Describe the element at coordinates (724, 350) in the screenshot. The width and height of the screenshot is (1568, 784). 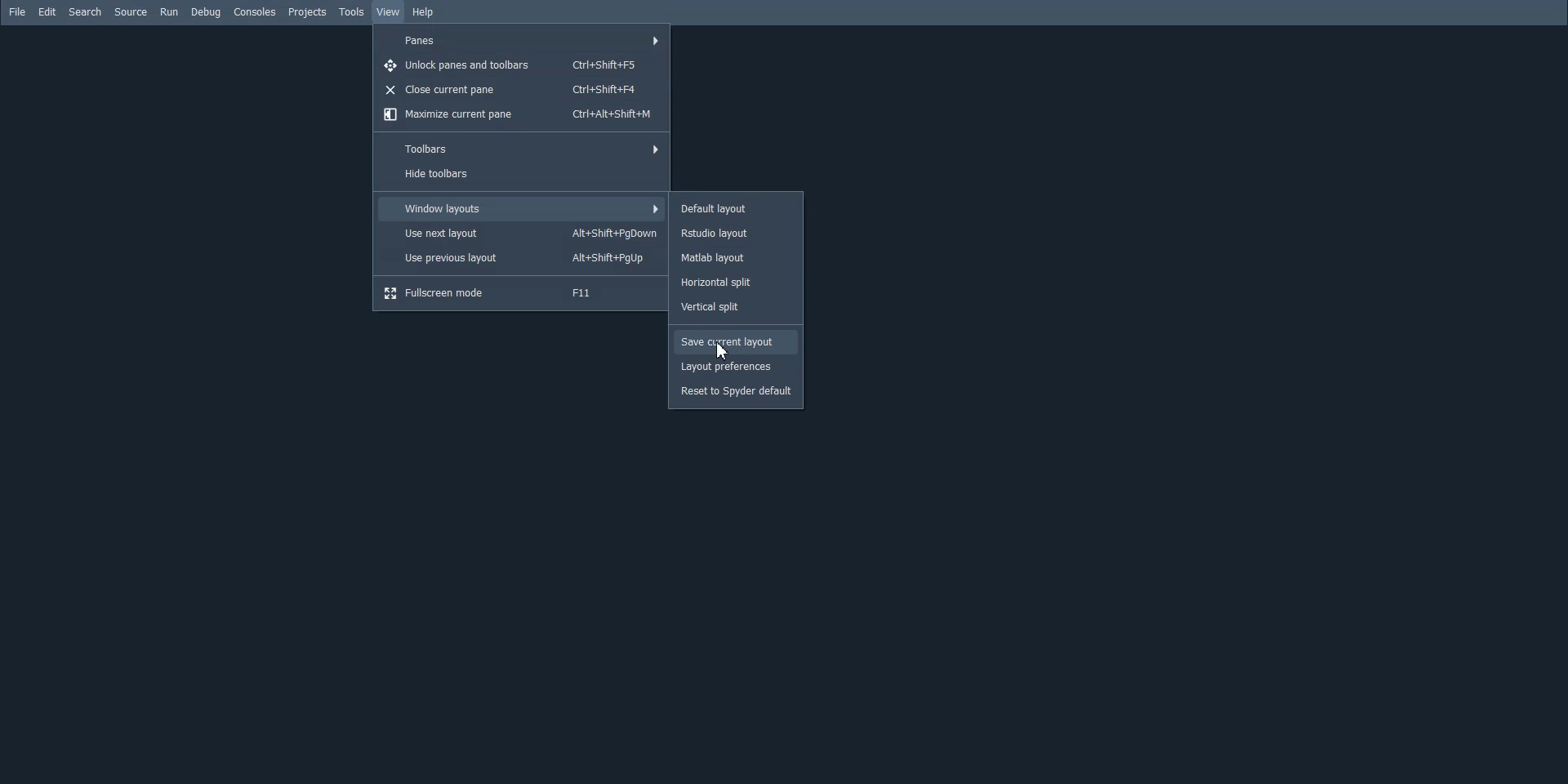
I see `Cursor` at that location.